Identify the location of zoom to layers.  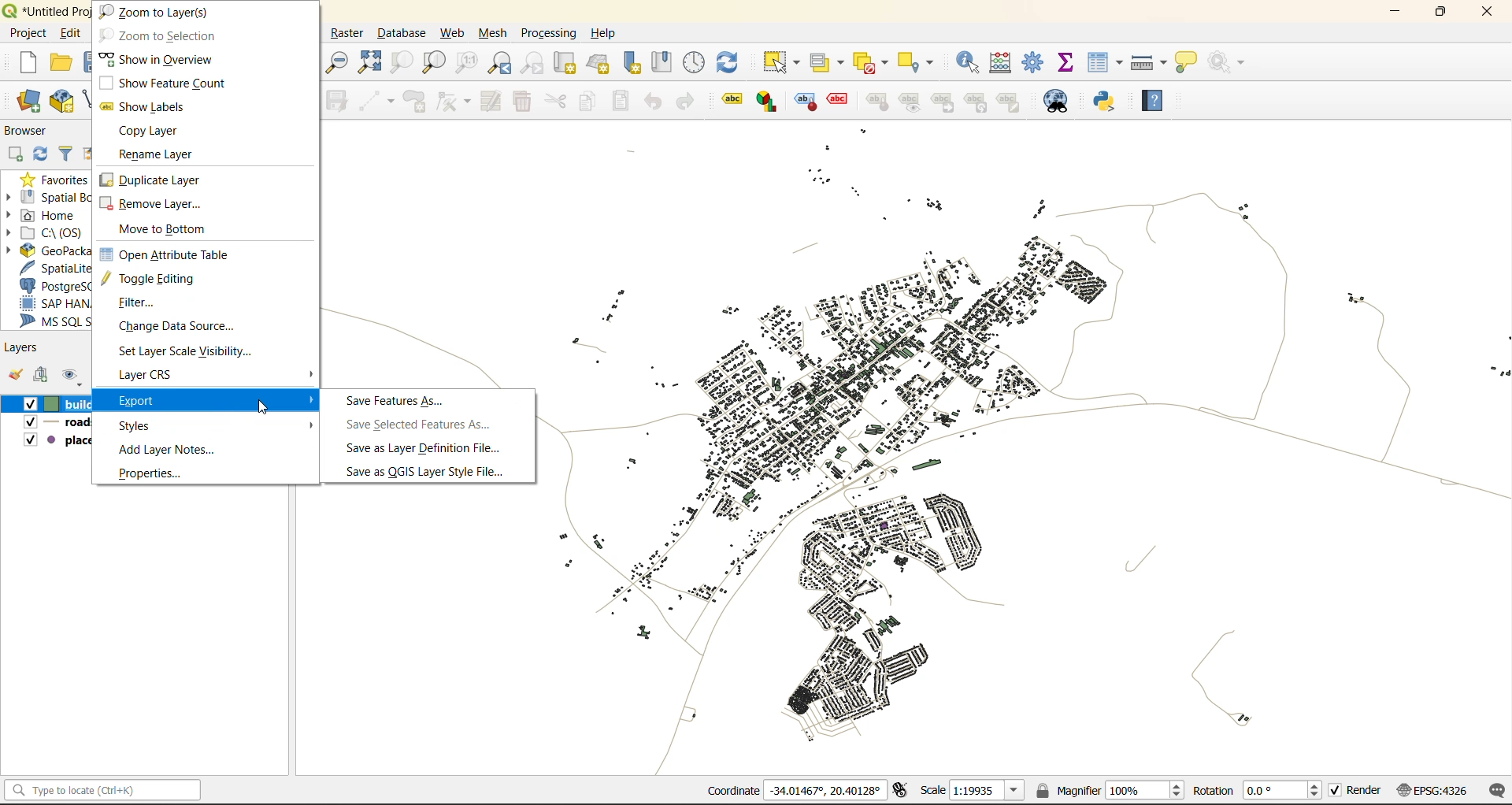
(154, 12).